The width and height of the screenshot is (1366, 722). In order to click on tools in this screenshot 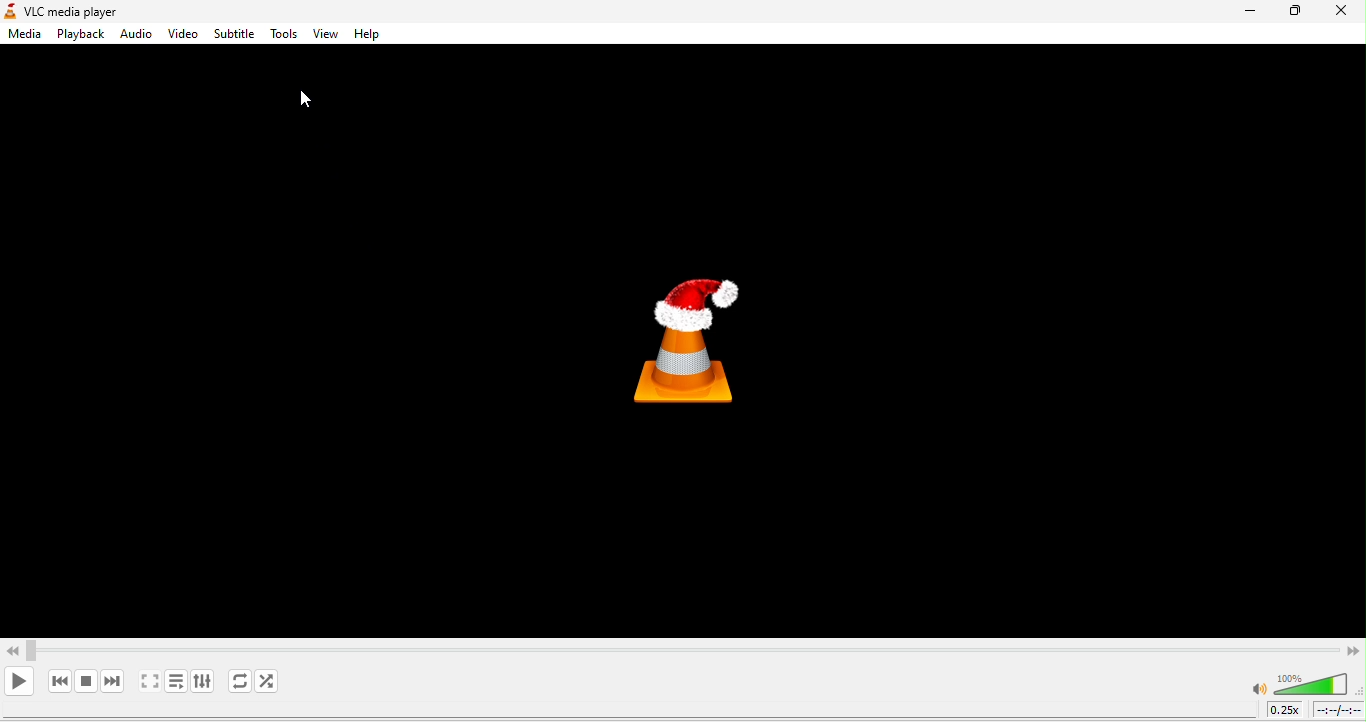, I will do `click(282, 35)`.